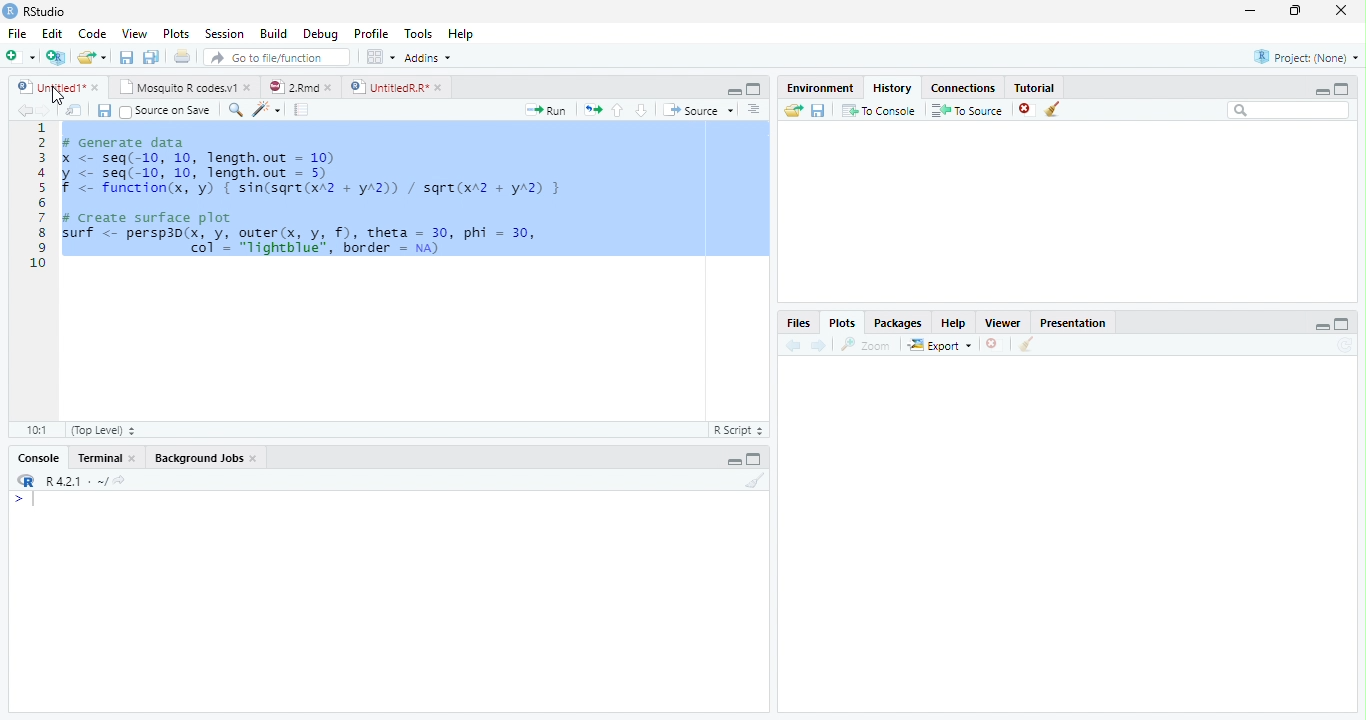 This screenshot has height=720, width=1366. Describe the element at coordinates (120, 478) in the screenshot. I see `View the current working directory` at that location.